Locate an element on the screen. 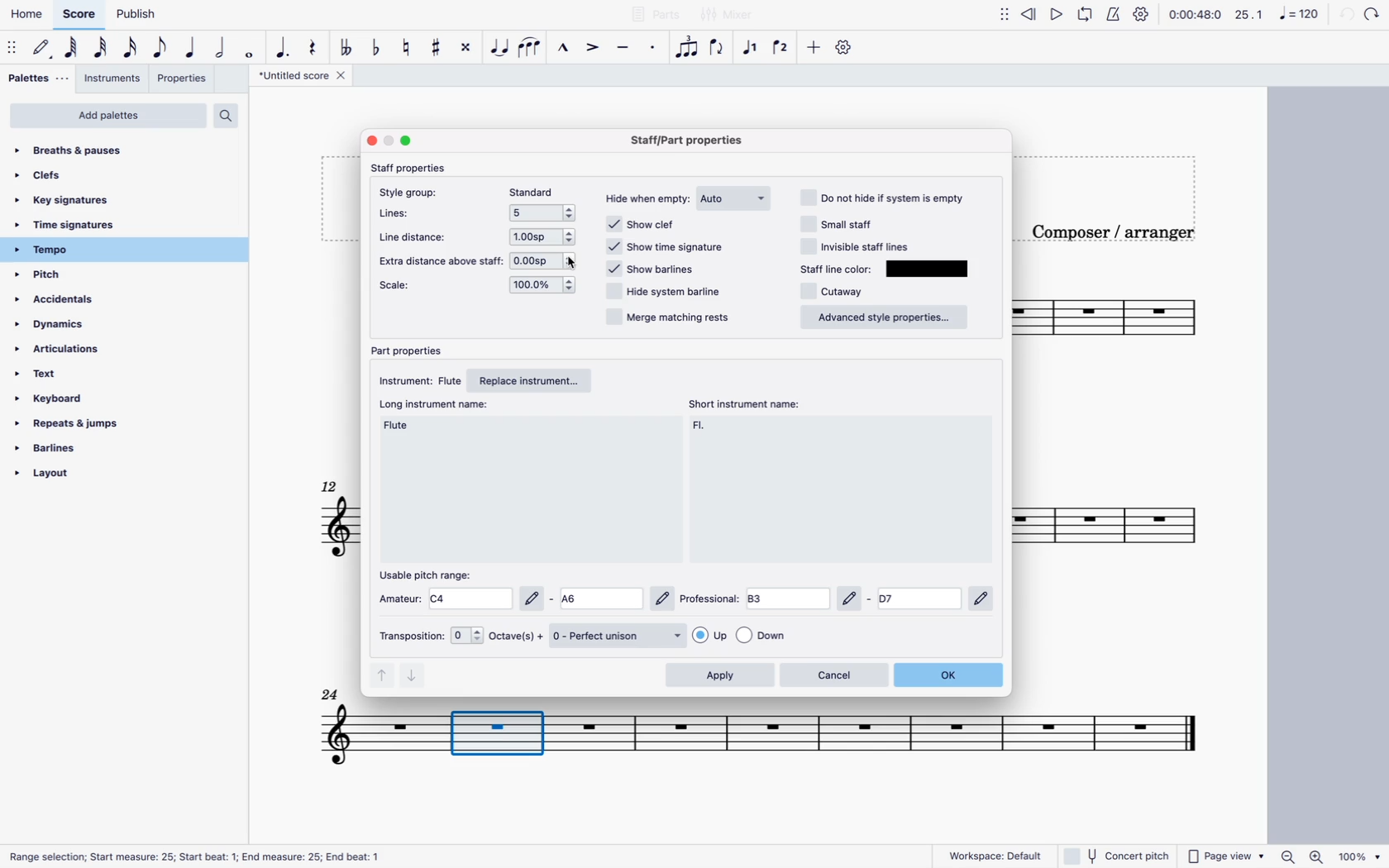  time is located at coordinates (1195, 15).